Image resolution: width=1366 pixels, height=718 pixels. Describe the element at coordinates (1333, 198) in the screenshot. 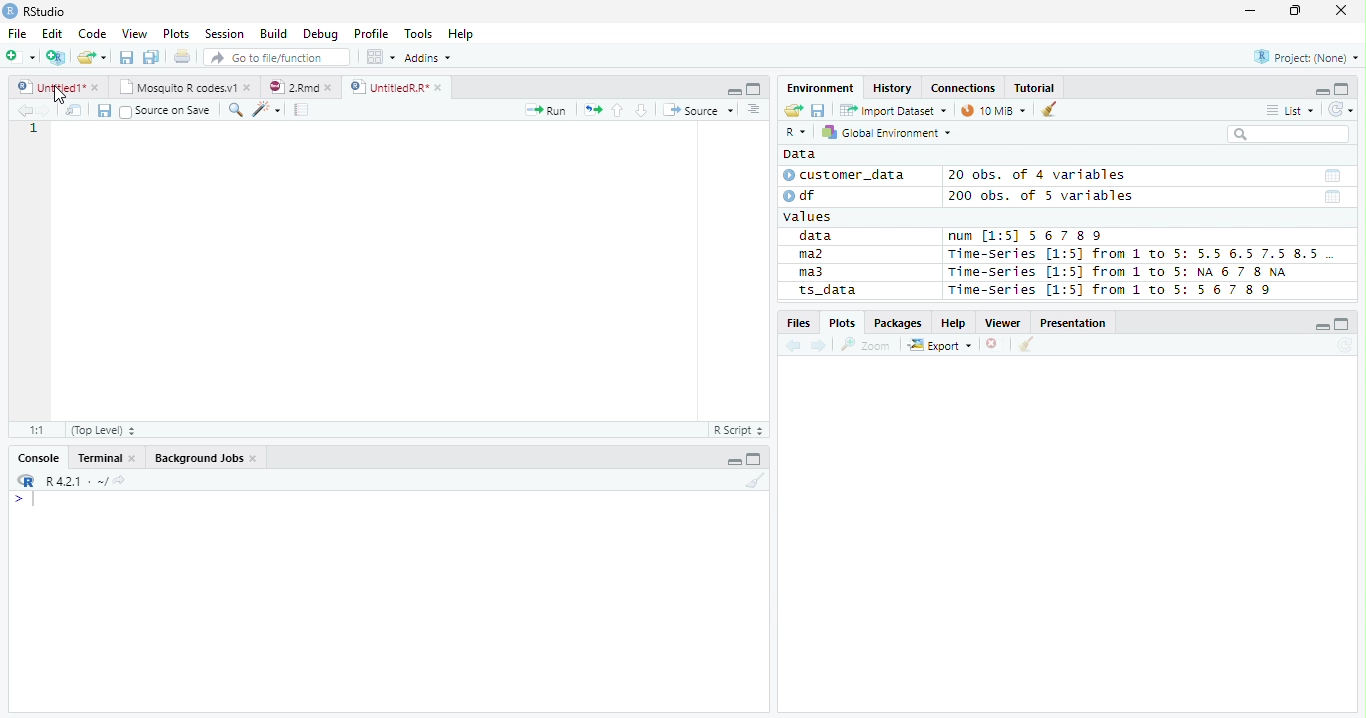

I see `Date` at that location.